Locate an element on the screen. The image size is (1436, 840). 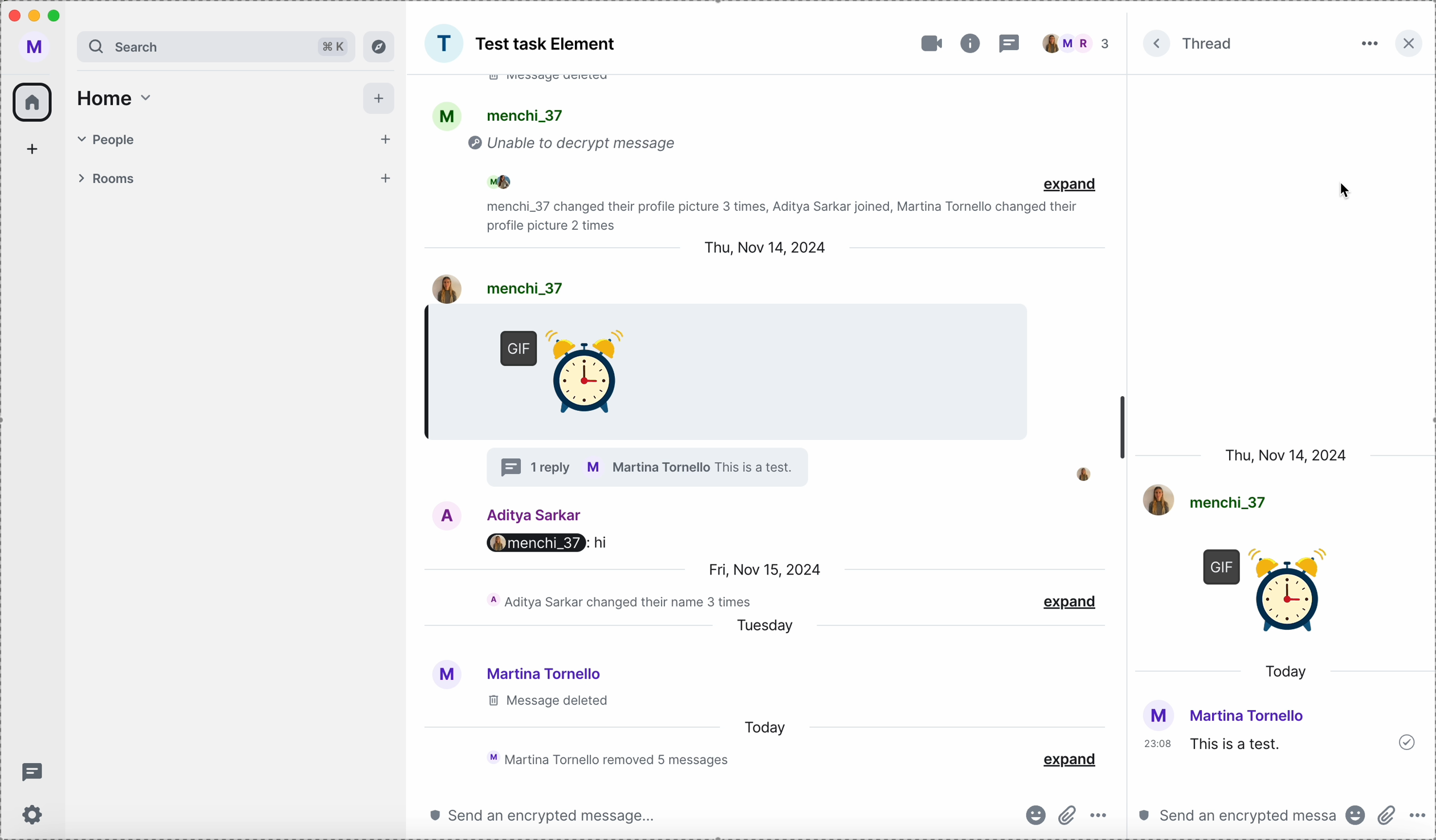
activity chat group is located at coordinates (727, 155).